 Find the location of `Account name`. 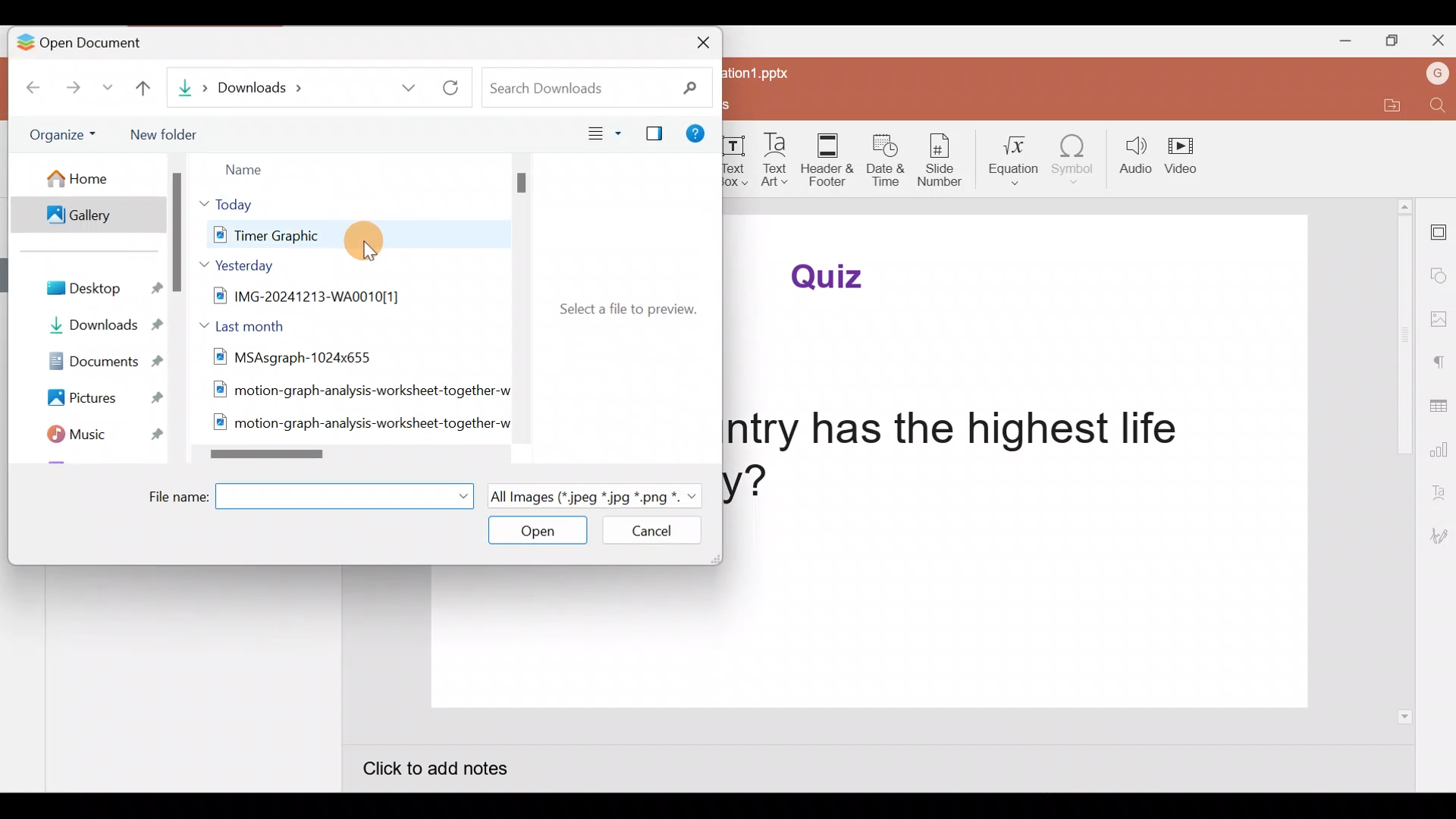

Account name is located at coordinates (1434, 74).